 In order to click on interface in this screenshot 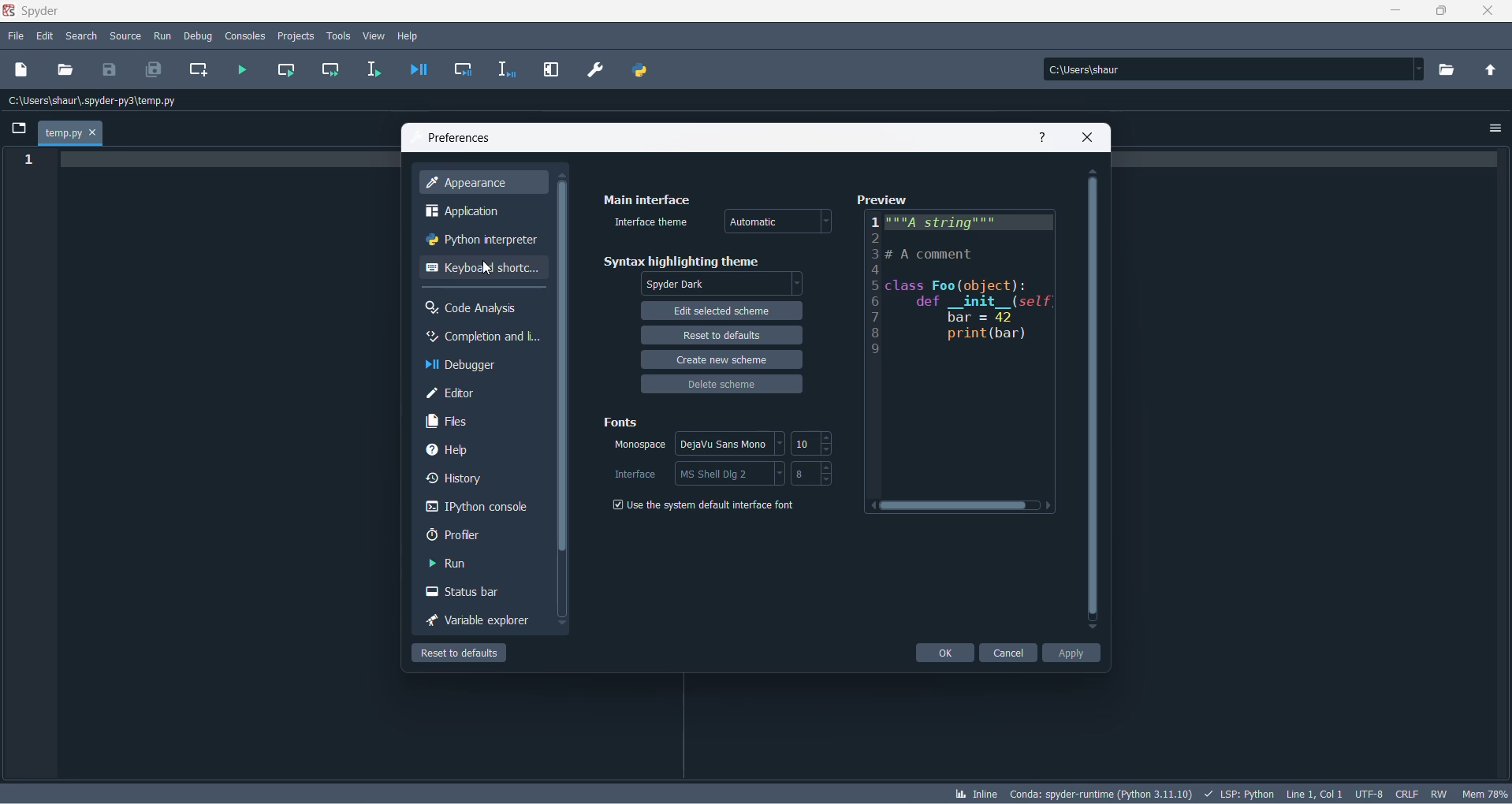, I will do `click(633, 475)`.